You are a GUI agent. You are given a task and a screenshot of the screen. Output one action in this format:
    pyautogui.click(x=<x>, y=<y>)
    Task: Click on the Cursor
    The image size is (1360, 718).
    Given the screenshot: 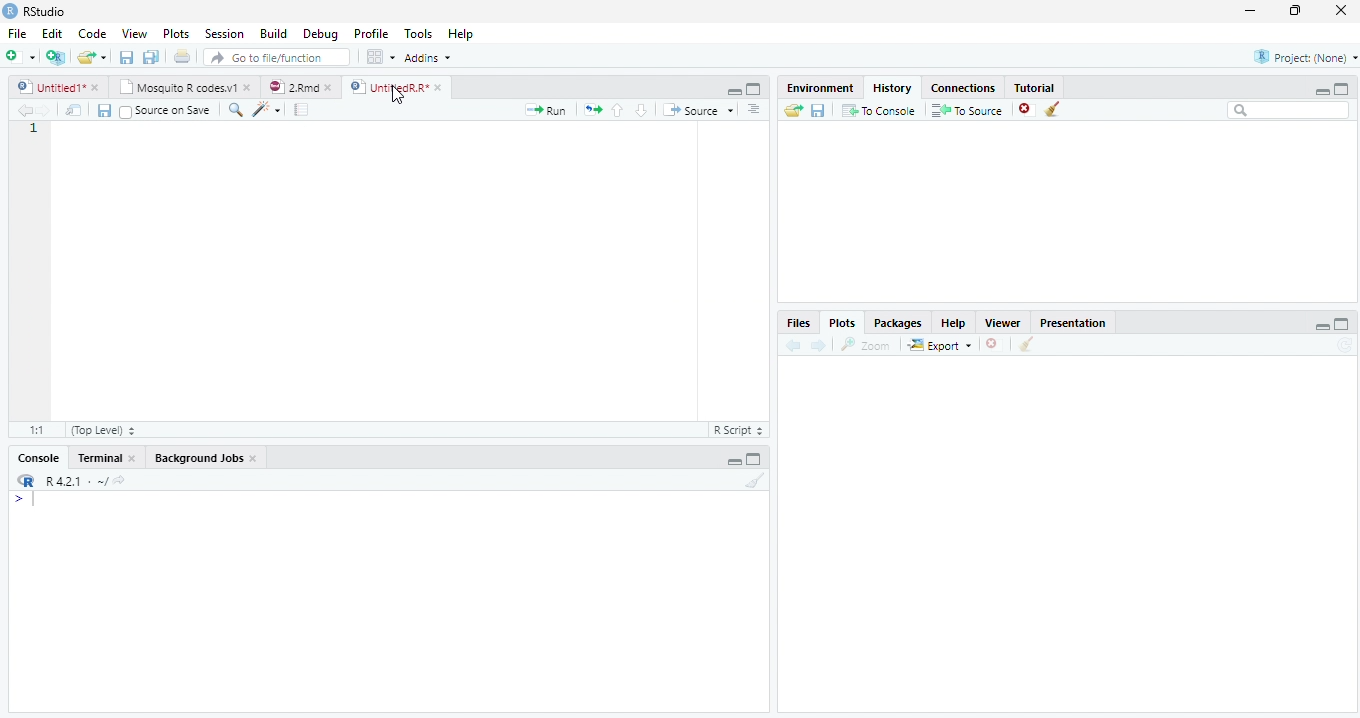 What is the action you would take?
    pyautogui.click(x=57, y=129)
    